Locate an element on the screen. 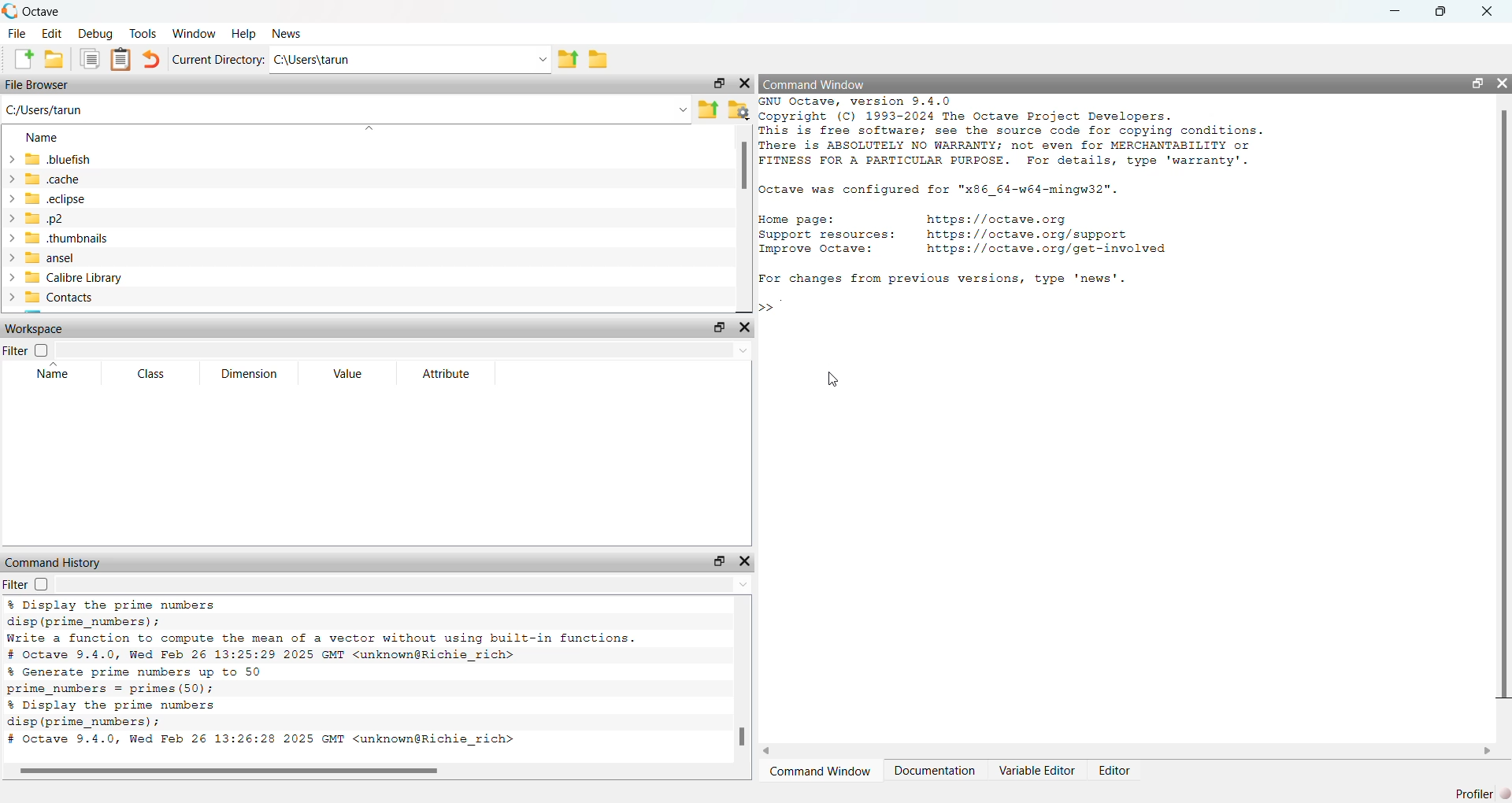 The image size is (1512, 803). News is located at coordinates (287, 33).